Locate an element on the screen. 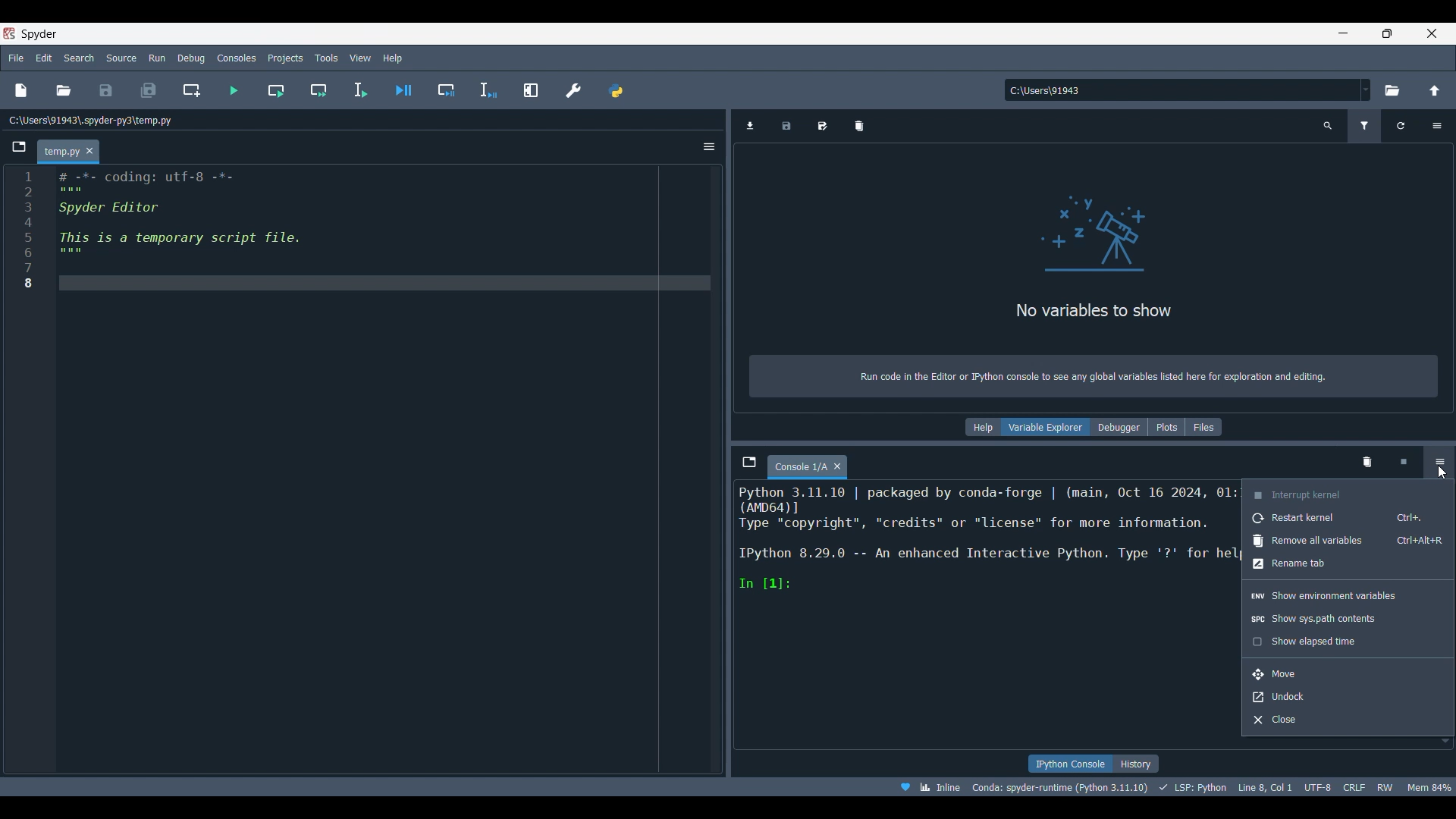  Run selection/current line is located at coordinates (360, 90).